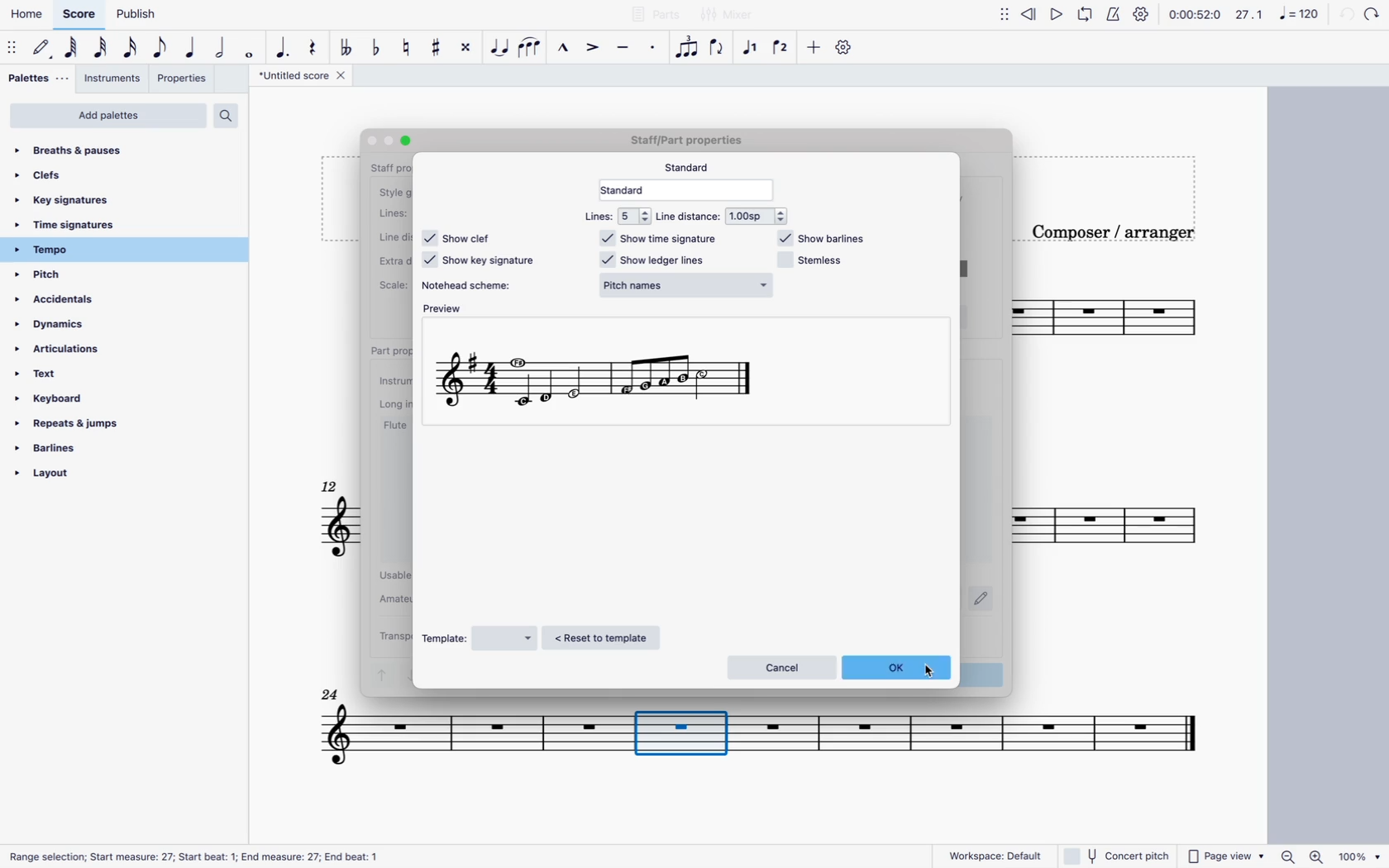 This screenshot has height=868, width=1389. I want to click on 16th note, so click(131, 48).